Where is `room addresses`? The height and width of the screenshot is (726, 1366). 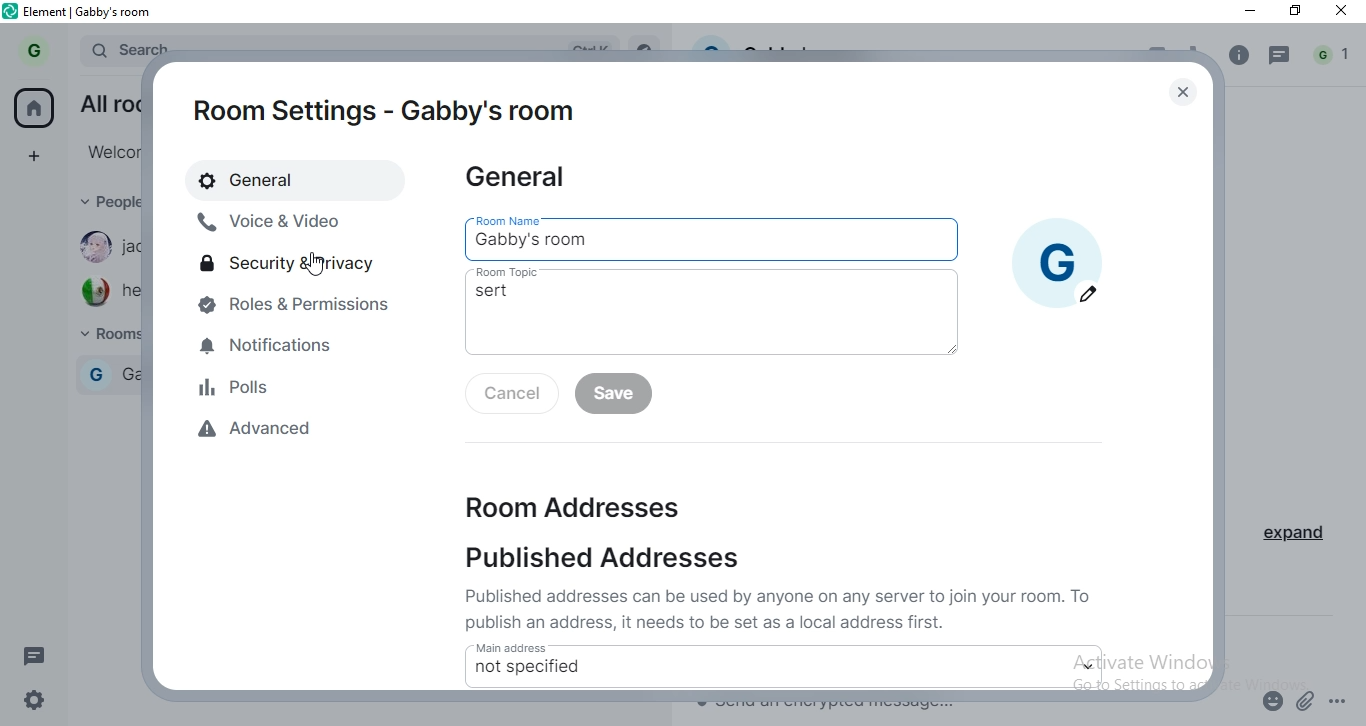 room addresses is located at coordinates (574, 515).